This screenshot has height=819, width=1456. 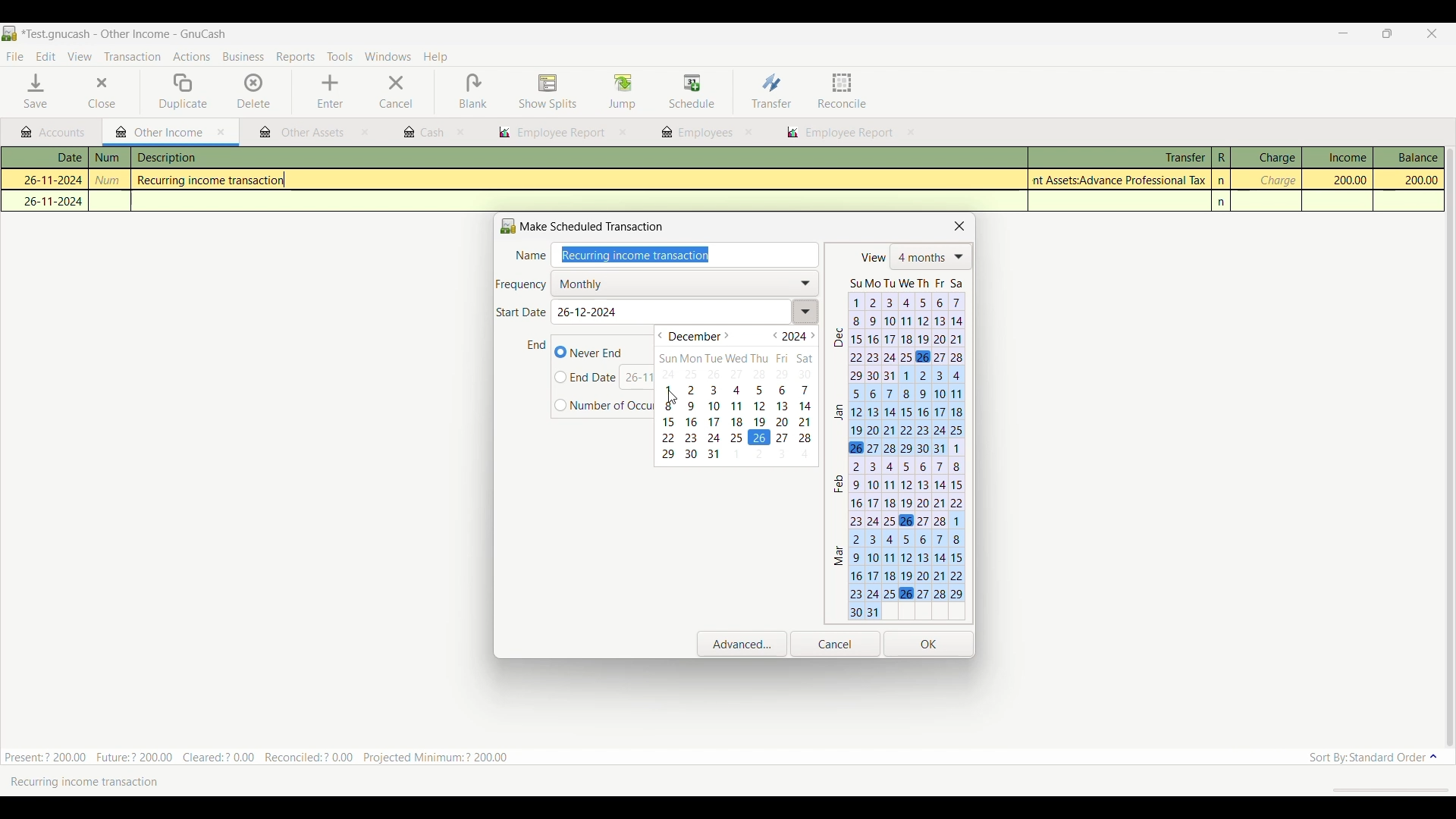 I want to click on Current tab highlight, so click(x=155, y=131).